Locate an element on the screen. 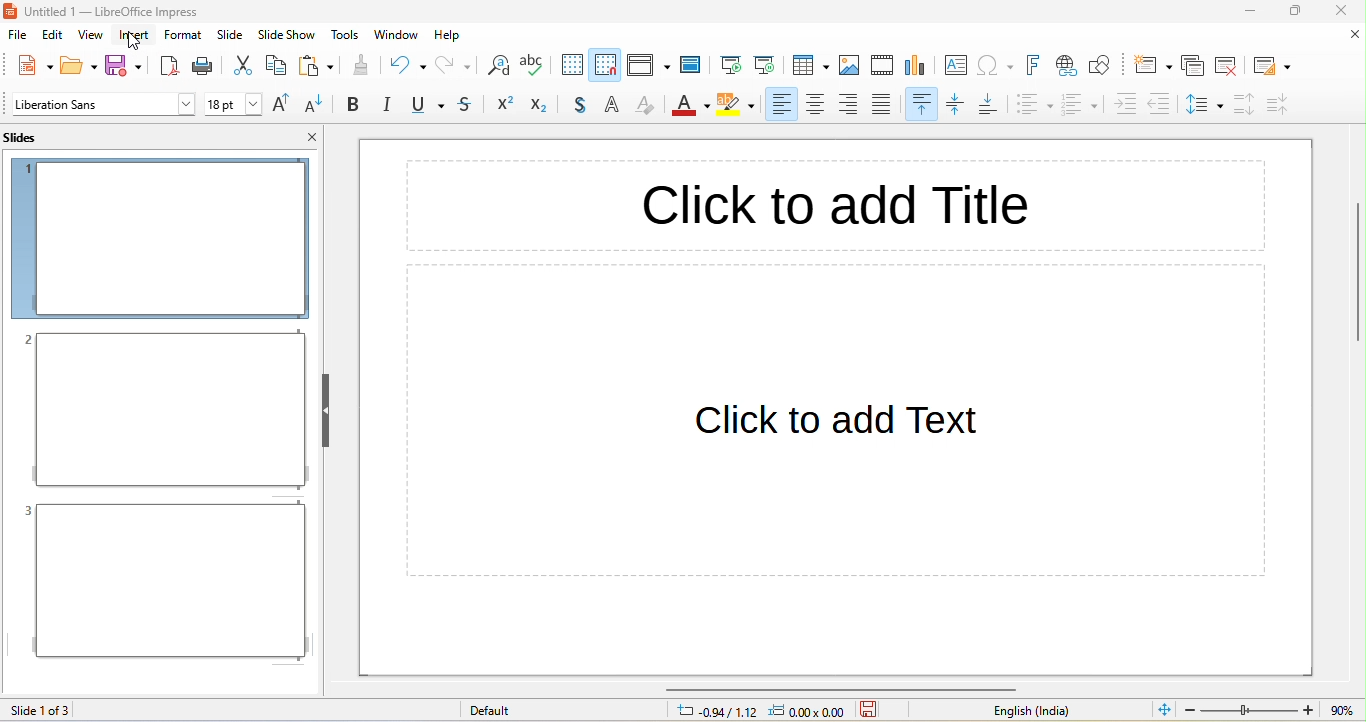 Image resolution: width=1366 pixels, height=722 pixels. zoom is located at coordinates (1251, 710).